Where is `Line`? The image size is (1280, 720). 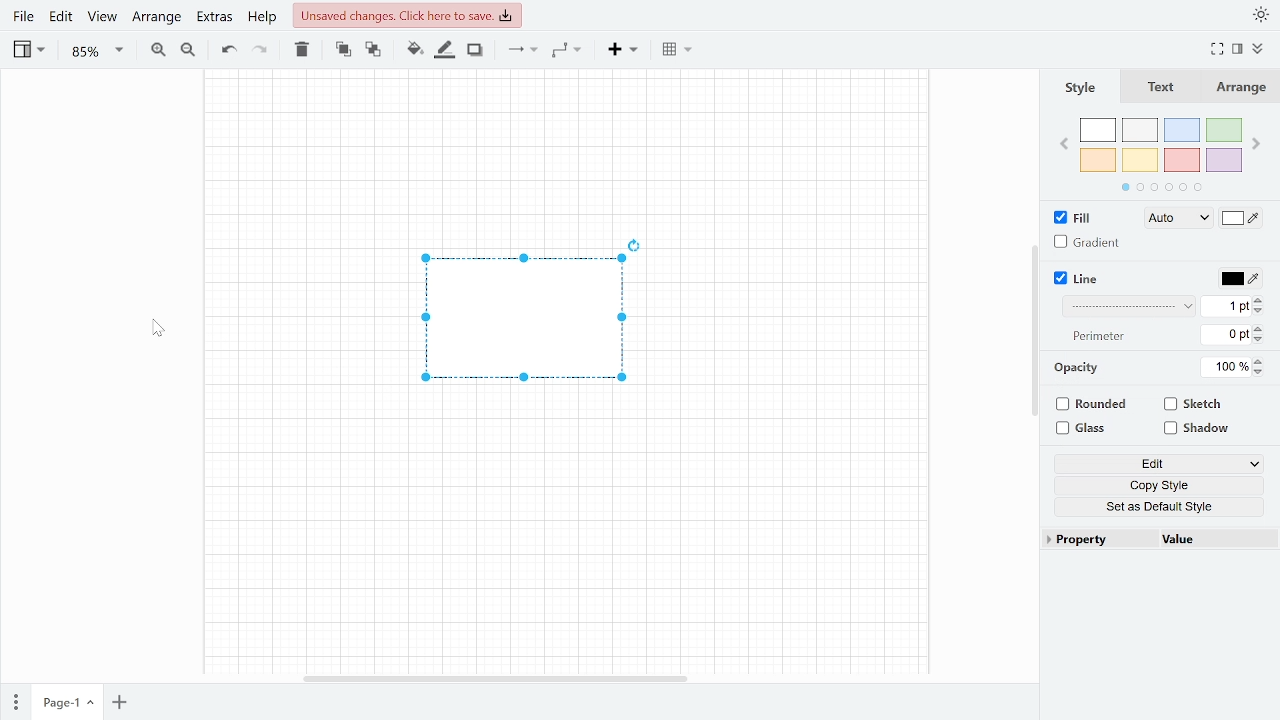 Line is located at coordinates (1082, 278).